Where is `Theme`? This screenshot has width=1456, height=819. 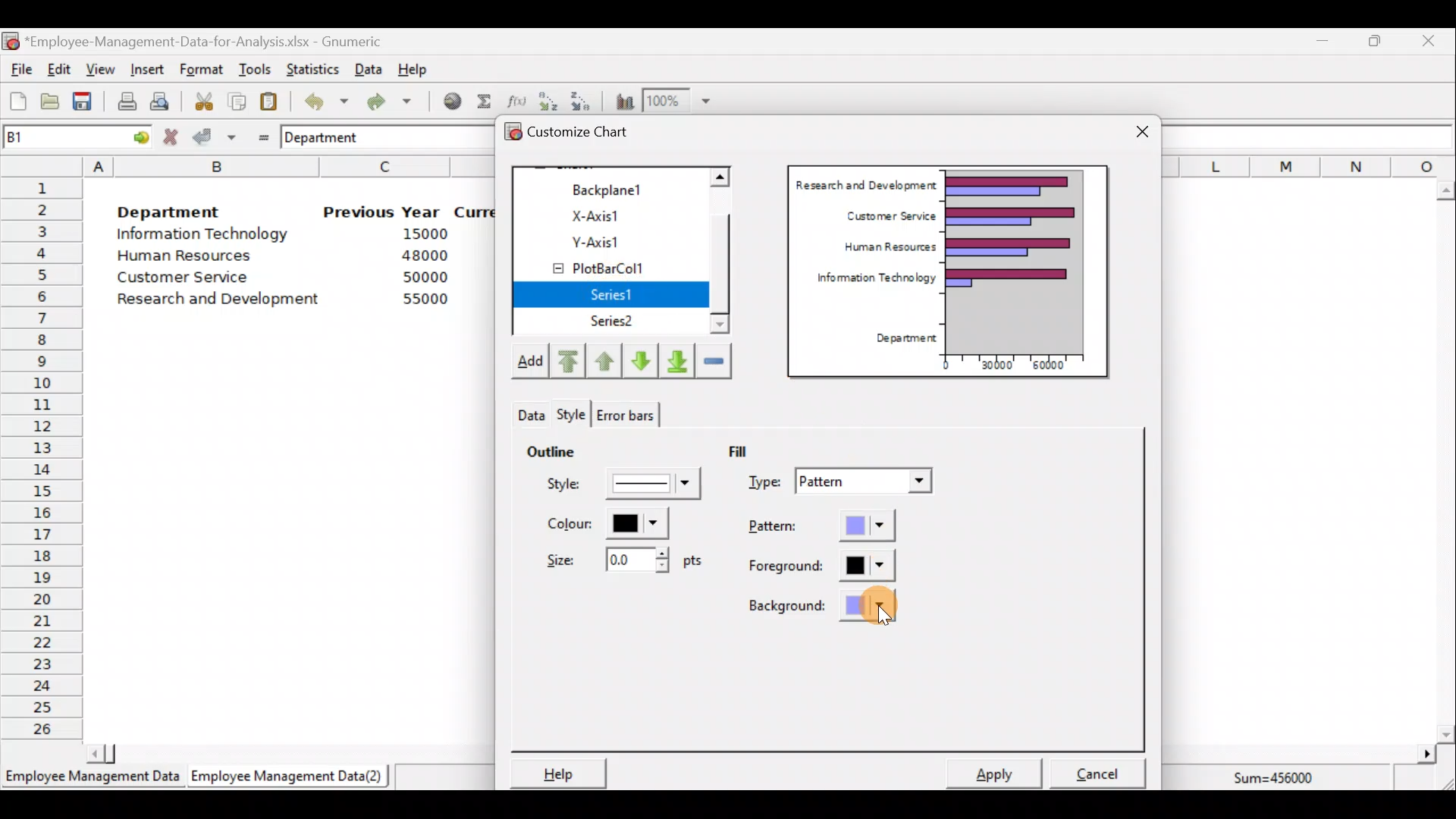 Theme is located at coordinates (576, 415).